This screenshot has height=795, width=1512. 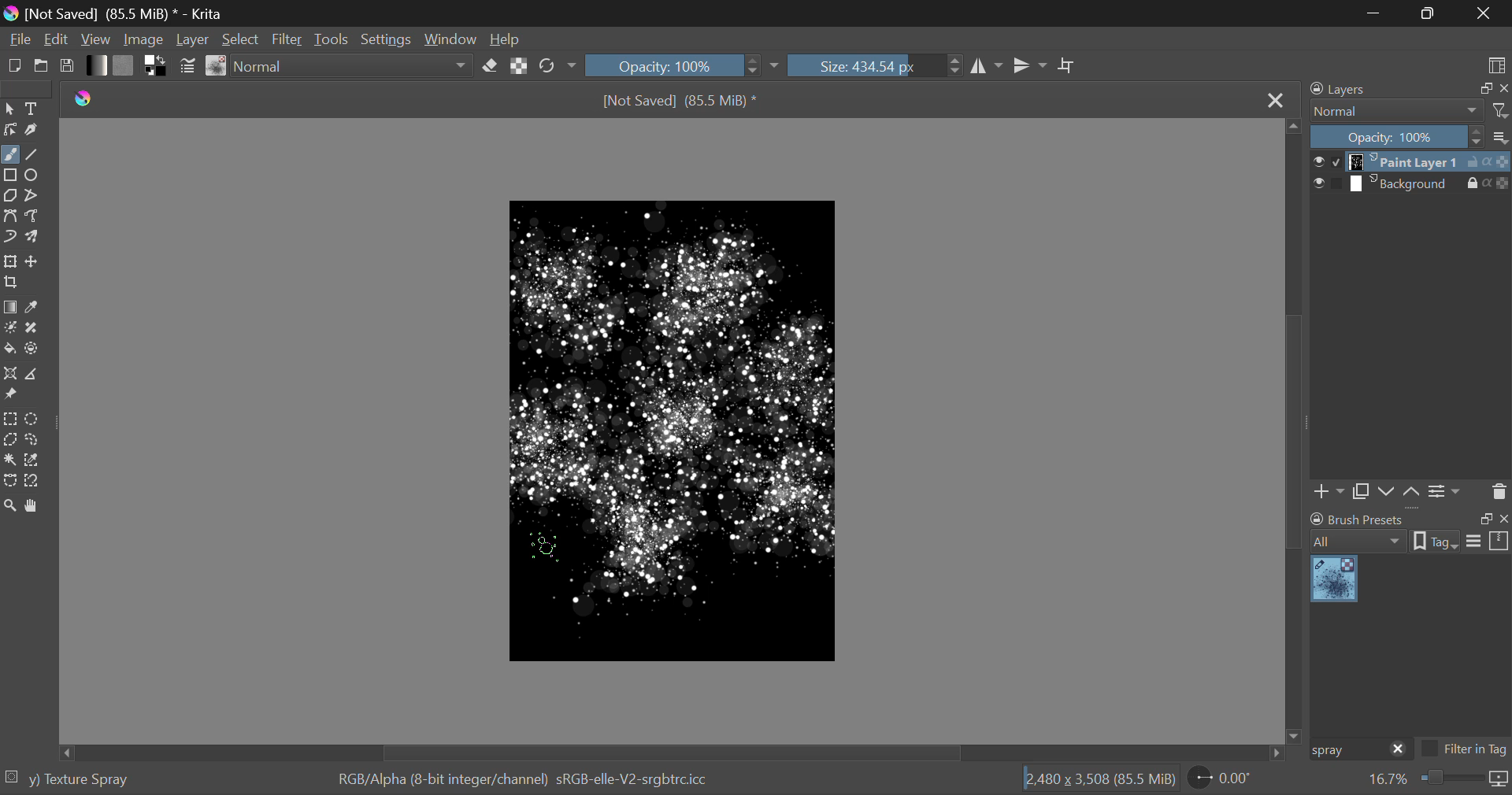 I want to click on actions, so click(x=1488, y=183).